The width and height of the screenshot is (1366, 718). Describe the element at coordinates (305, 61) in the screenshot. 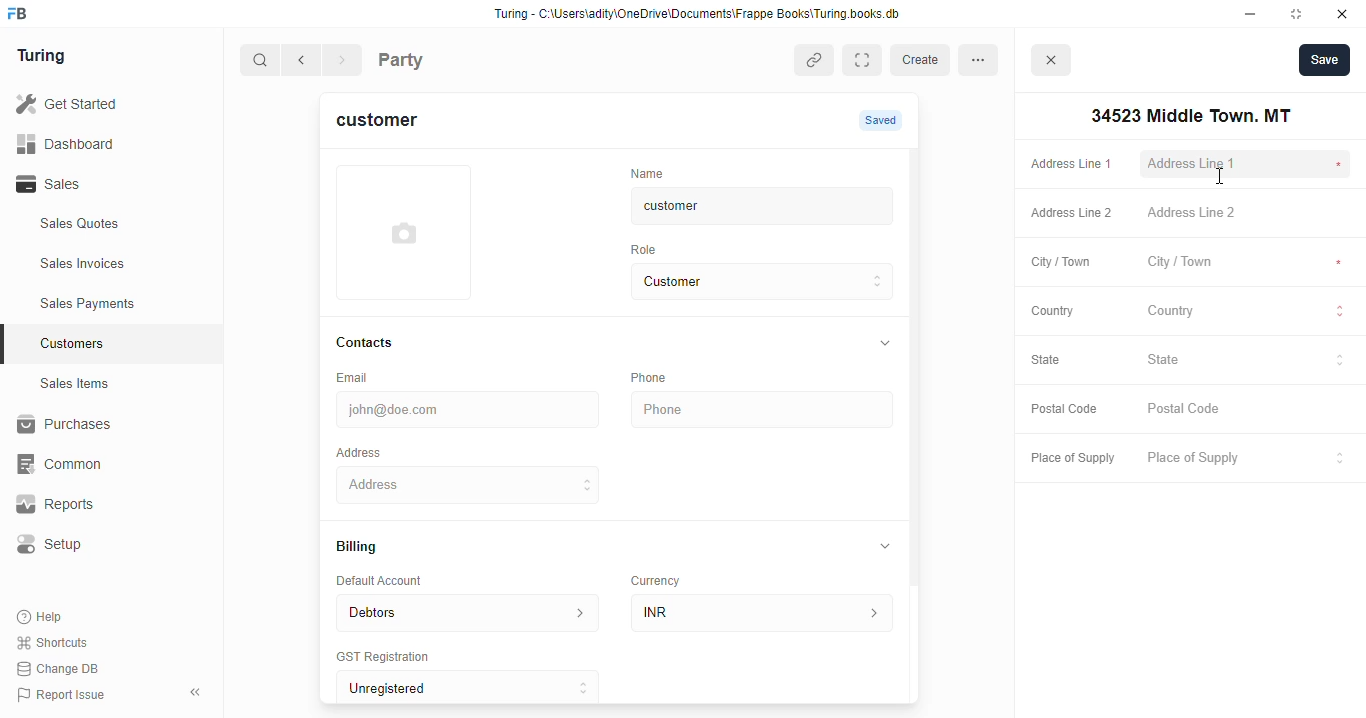

I see `go back` at that location.